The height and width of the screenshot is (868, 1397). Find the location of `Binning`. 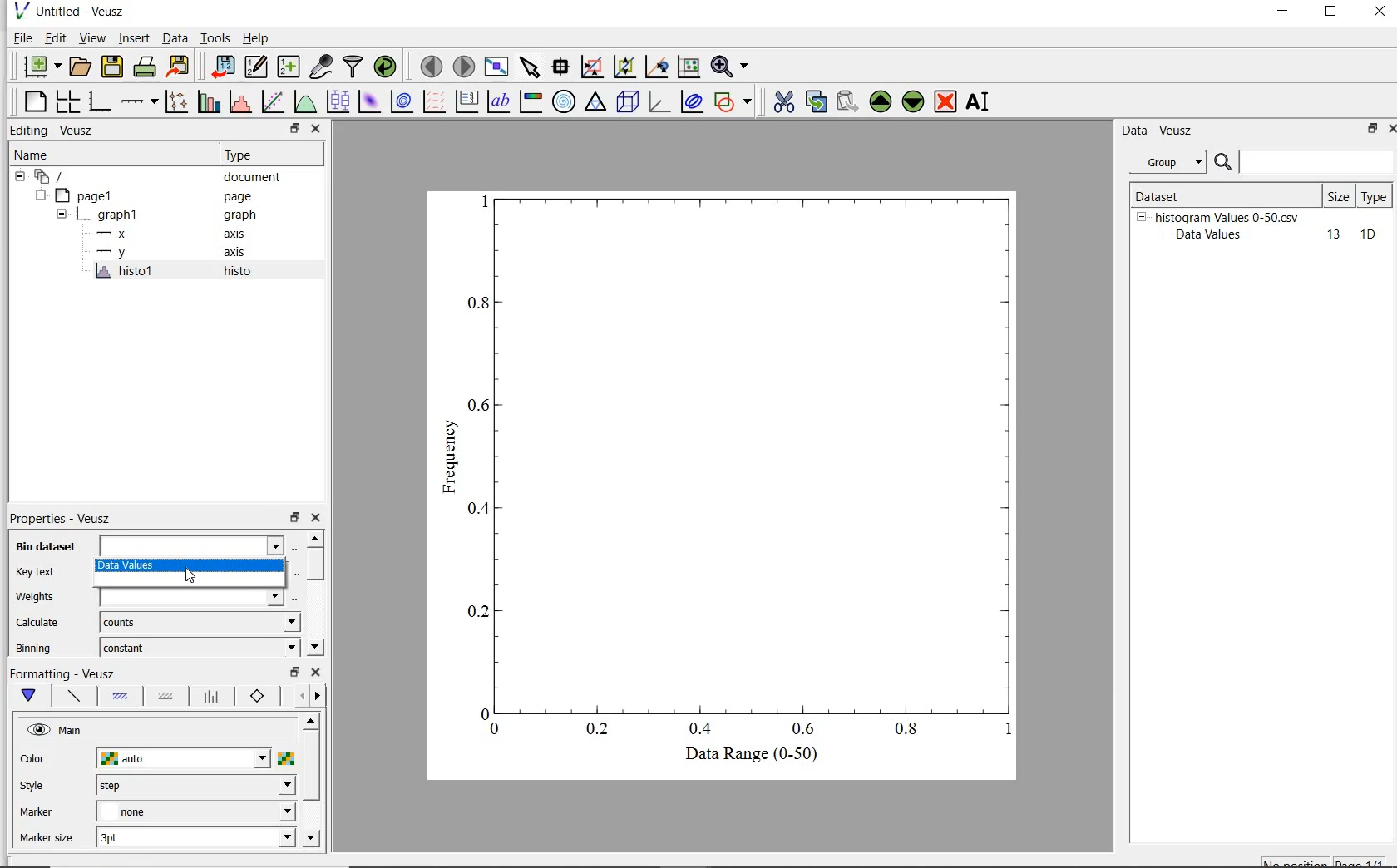

Binning is located at coordinates (35, 648).